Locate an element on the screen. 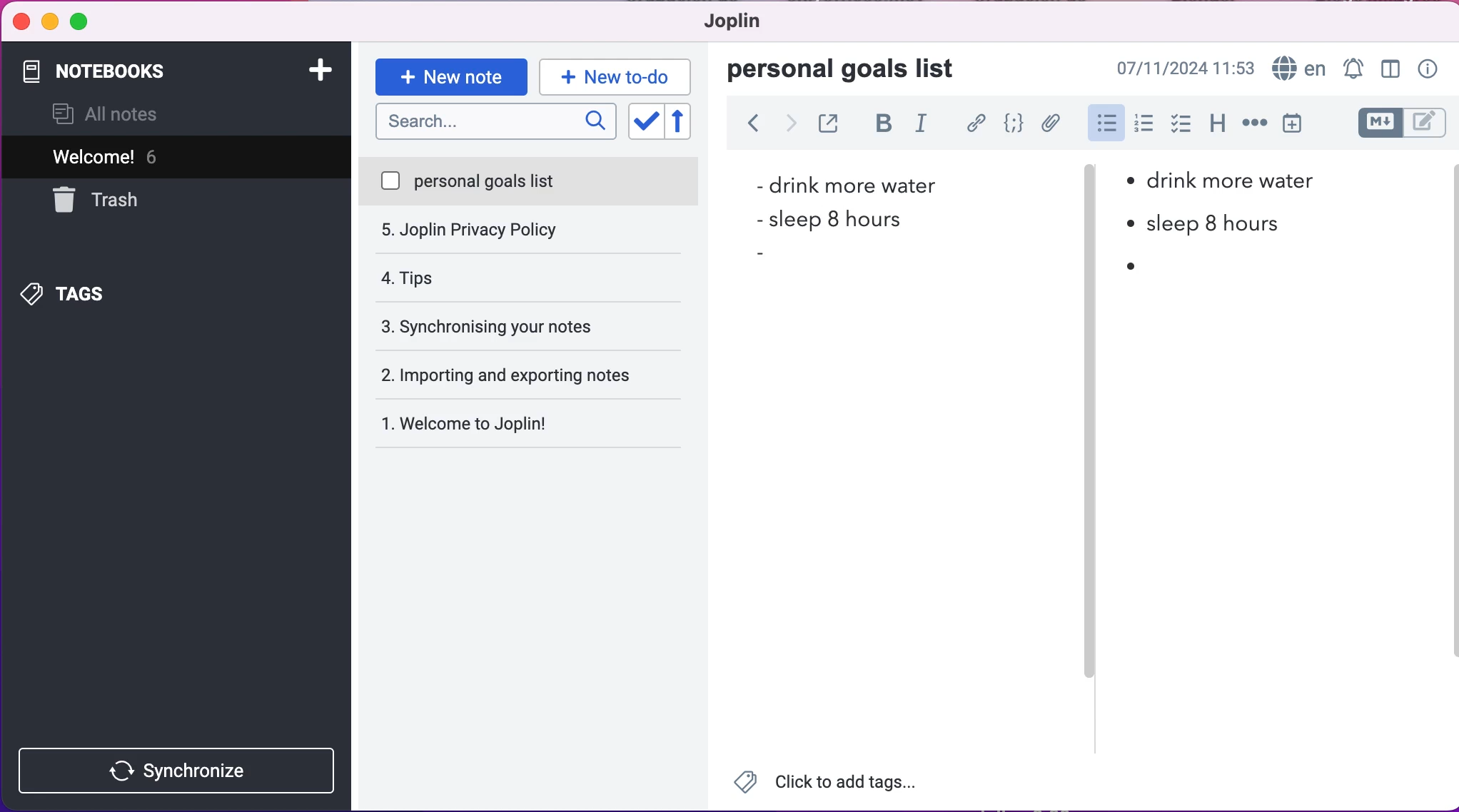 This screenshot has height=812, width=1459. tips is located at coordinates (527, 231).